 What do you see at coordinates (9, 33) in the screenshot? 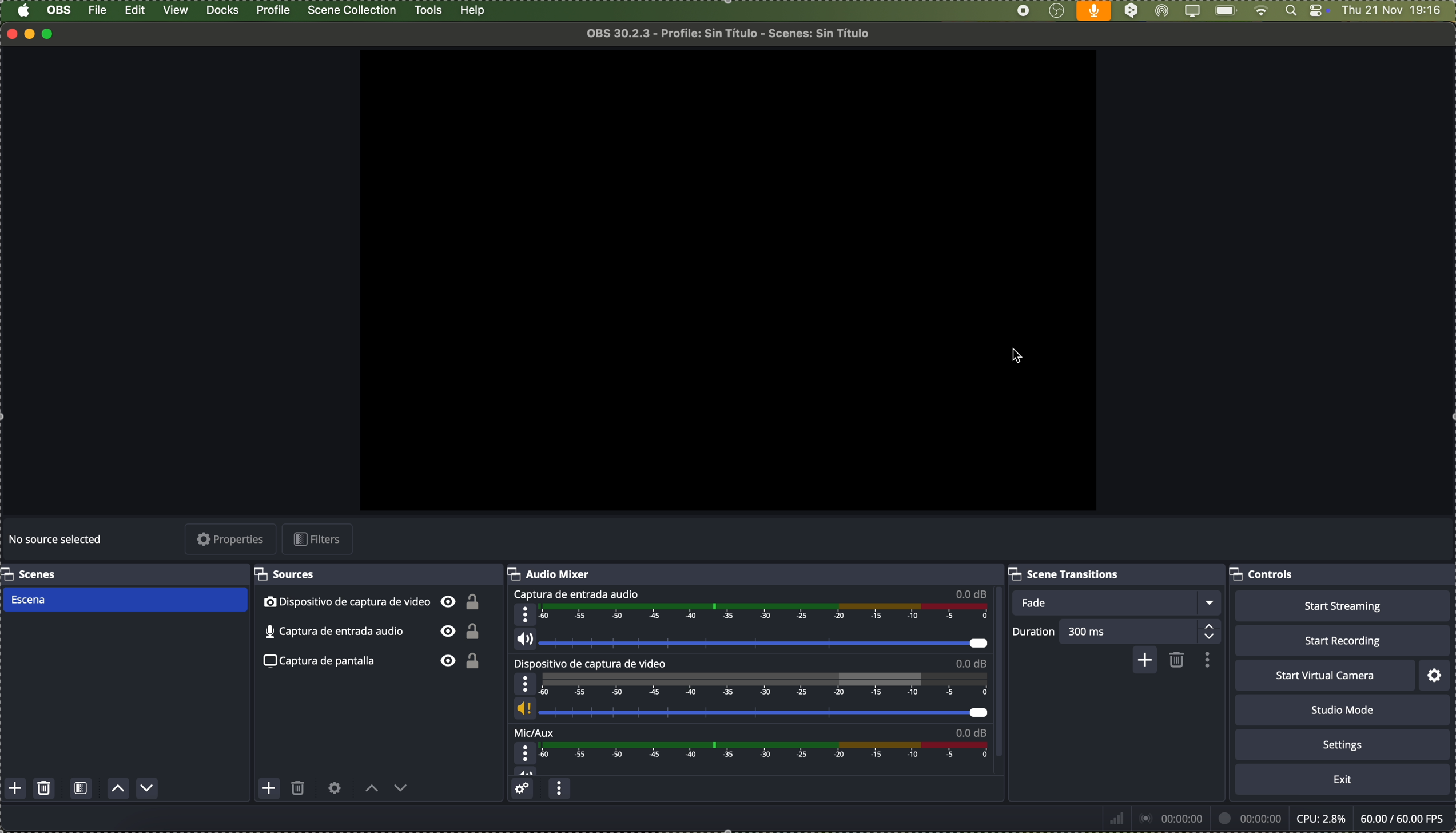
I see `close program` at bounding box center [9, 33].